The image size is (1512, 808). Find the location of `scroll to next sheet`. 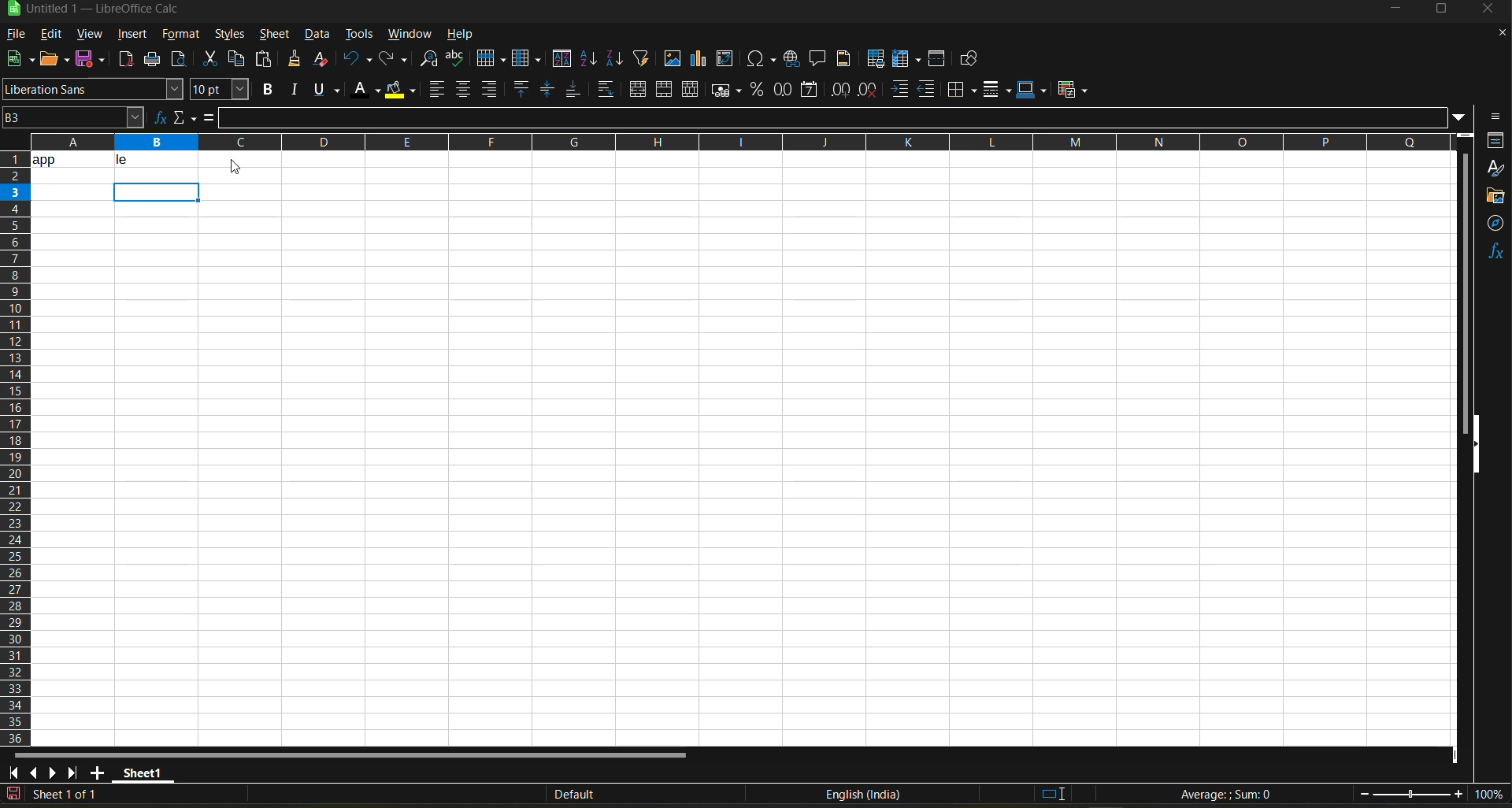

scroll to next sheet is located at coordinates (55, 773).